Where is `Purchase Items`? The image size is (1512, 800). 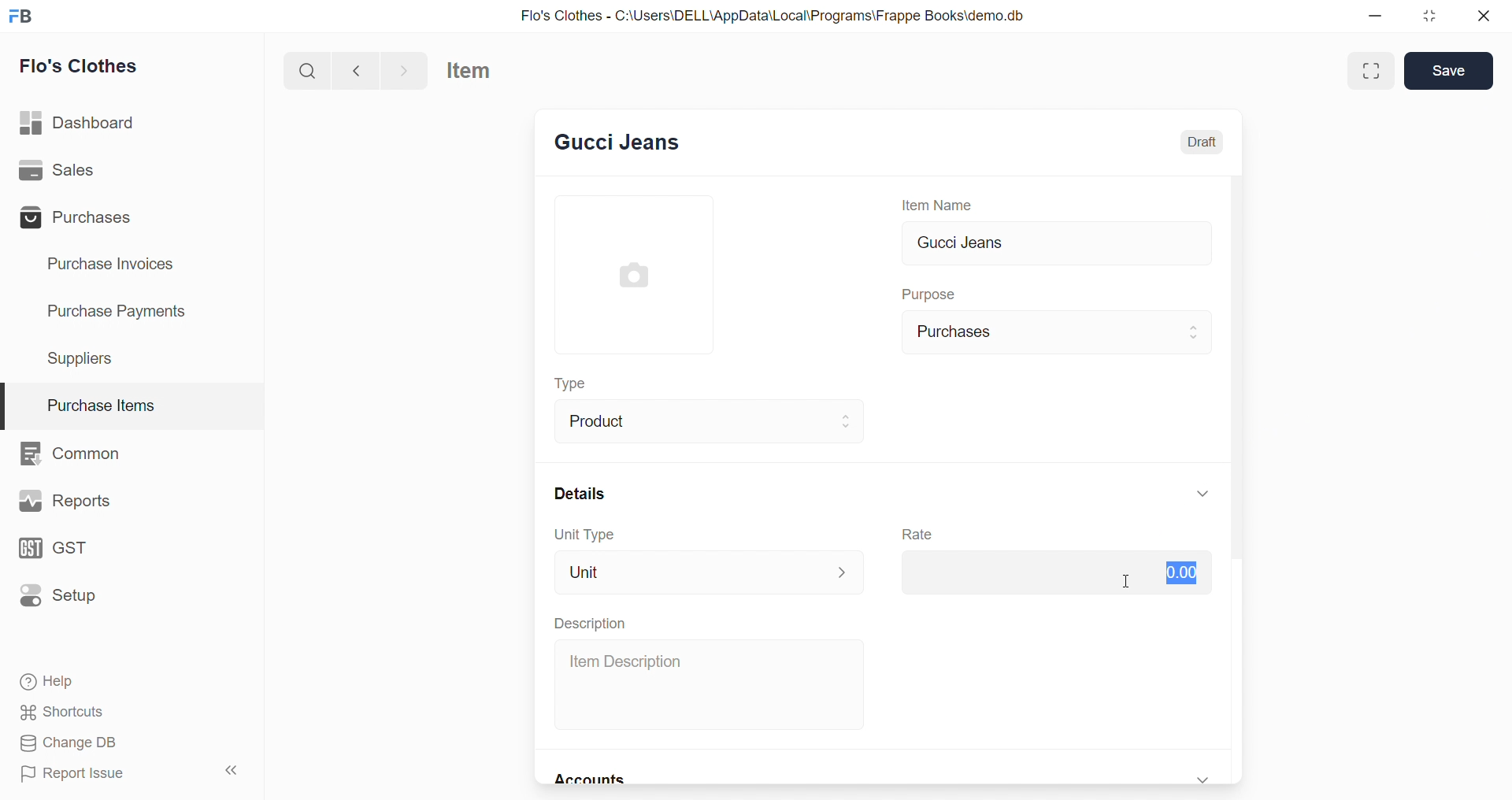 Purchase Items is located at coordinates (132, 401).